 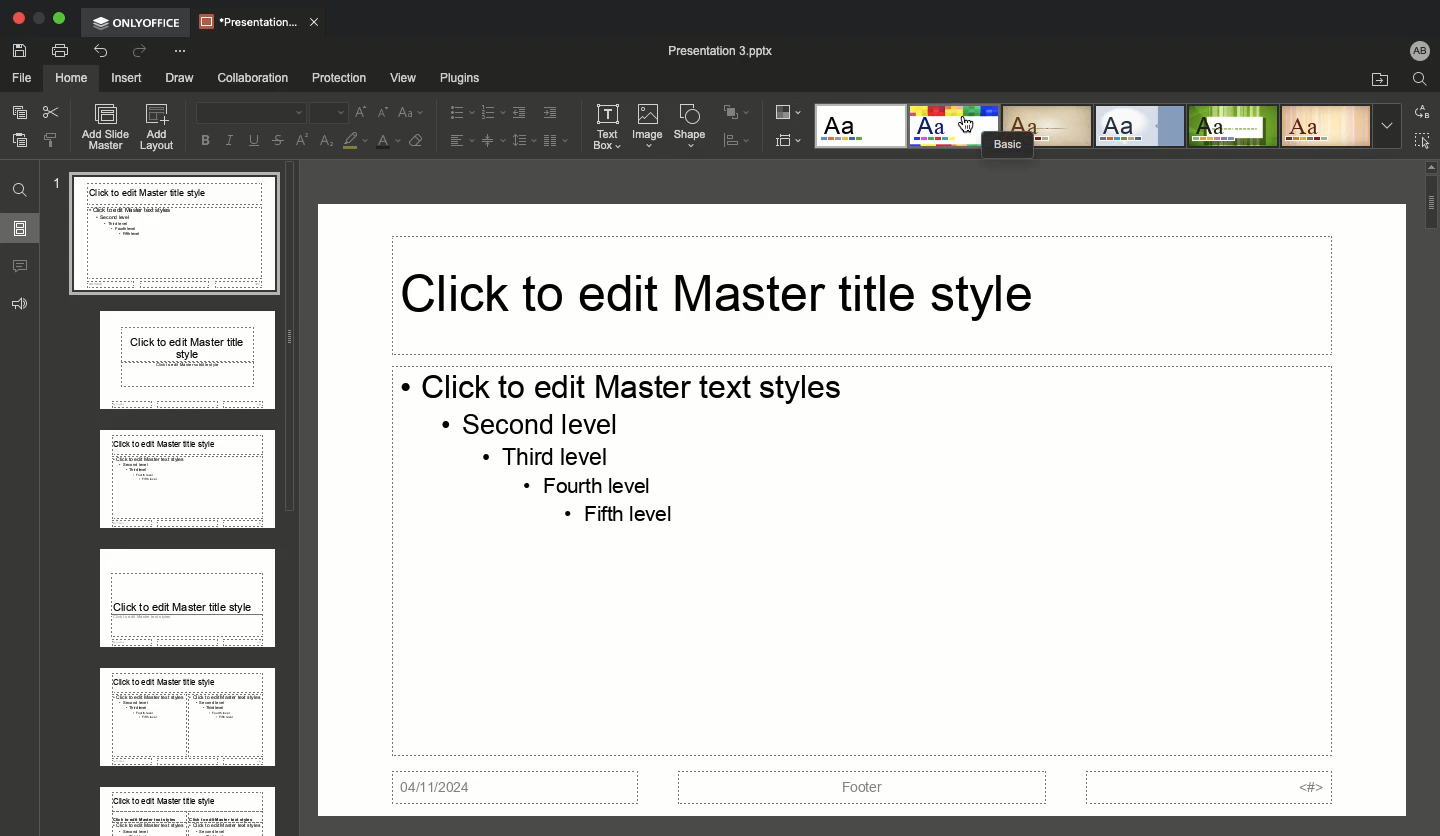 What do you see at coordinates (327, 114) in the screenshot?
I see `Font Size` at bounding box center [327, 114].